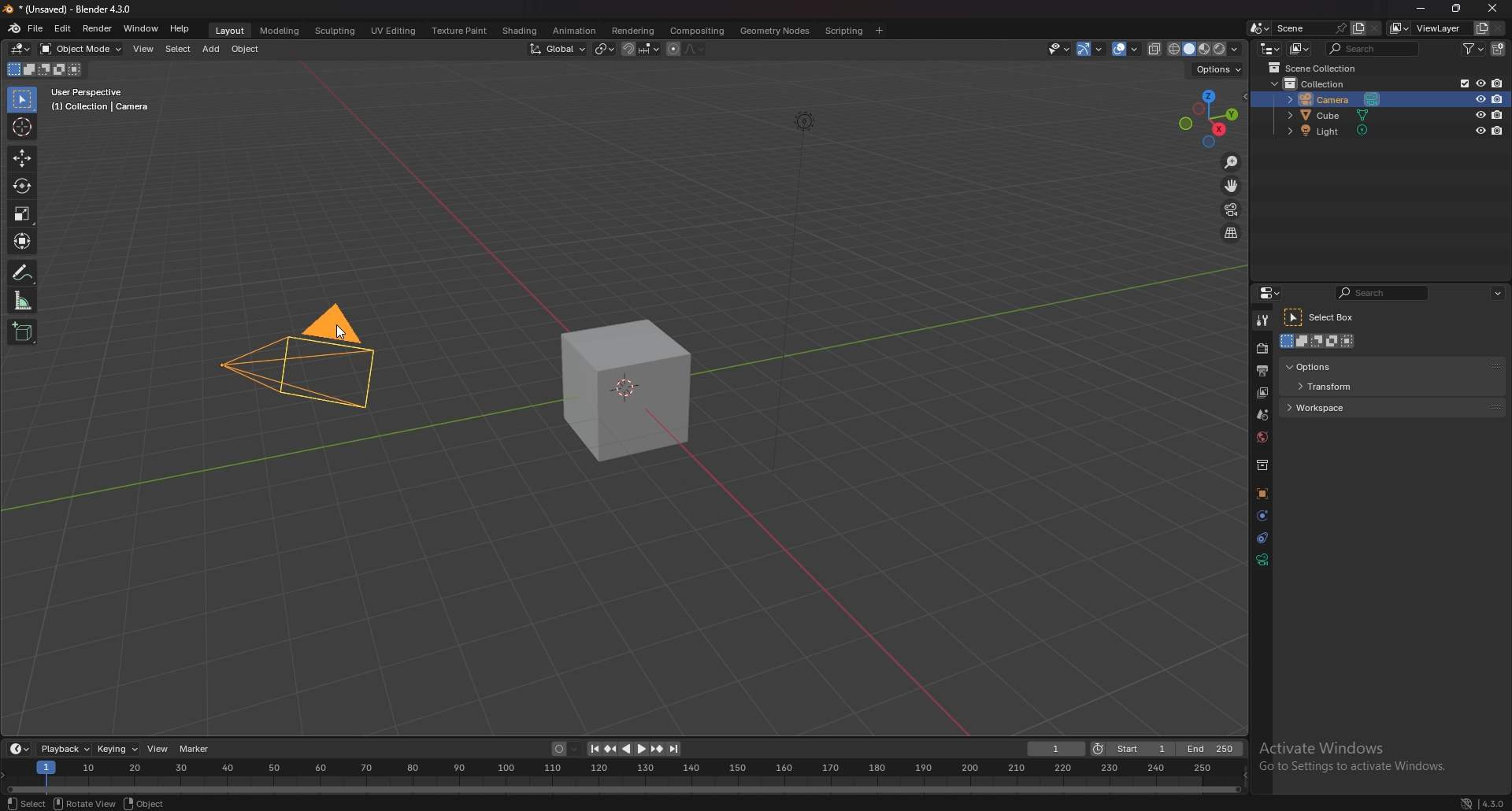 The width and height of the screenshot is (1512, 811). Describe the element at coordinates (20, 49) in the screenshot. I see `editor type` at that location.